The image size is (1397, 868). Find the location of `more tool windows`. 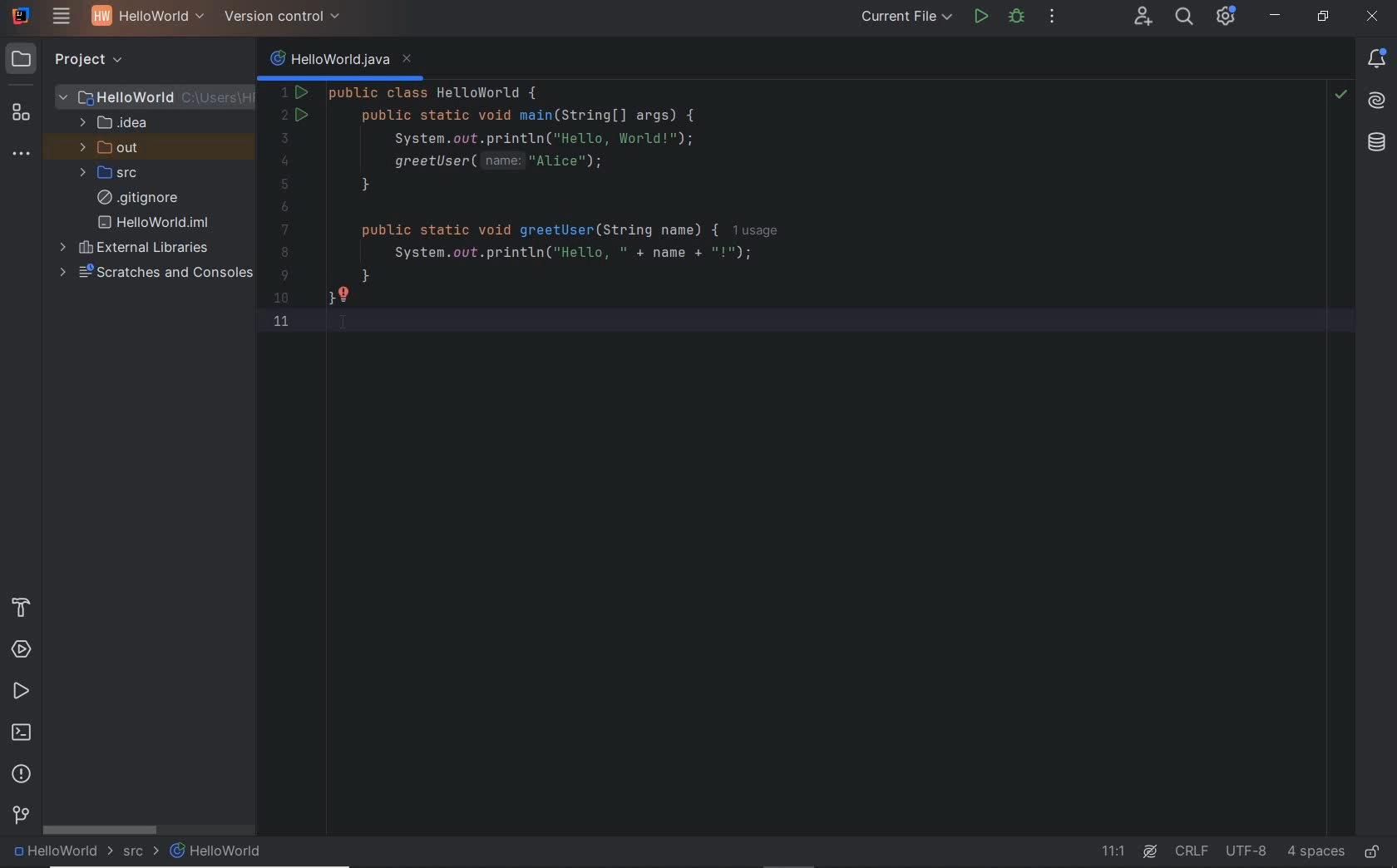

more tool windows is located at coordinates (23, 155).